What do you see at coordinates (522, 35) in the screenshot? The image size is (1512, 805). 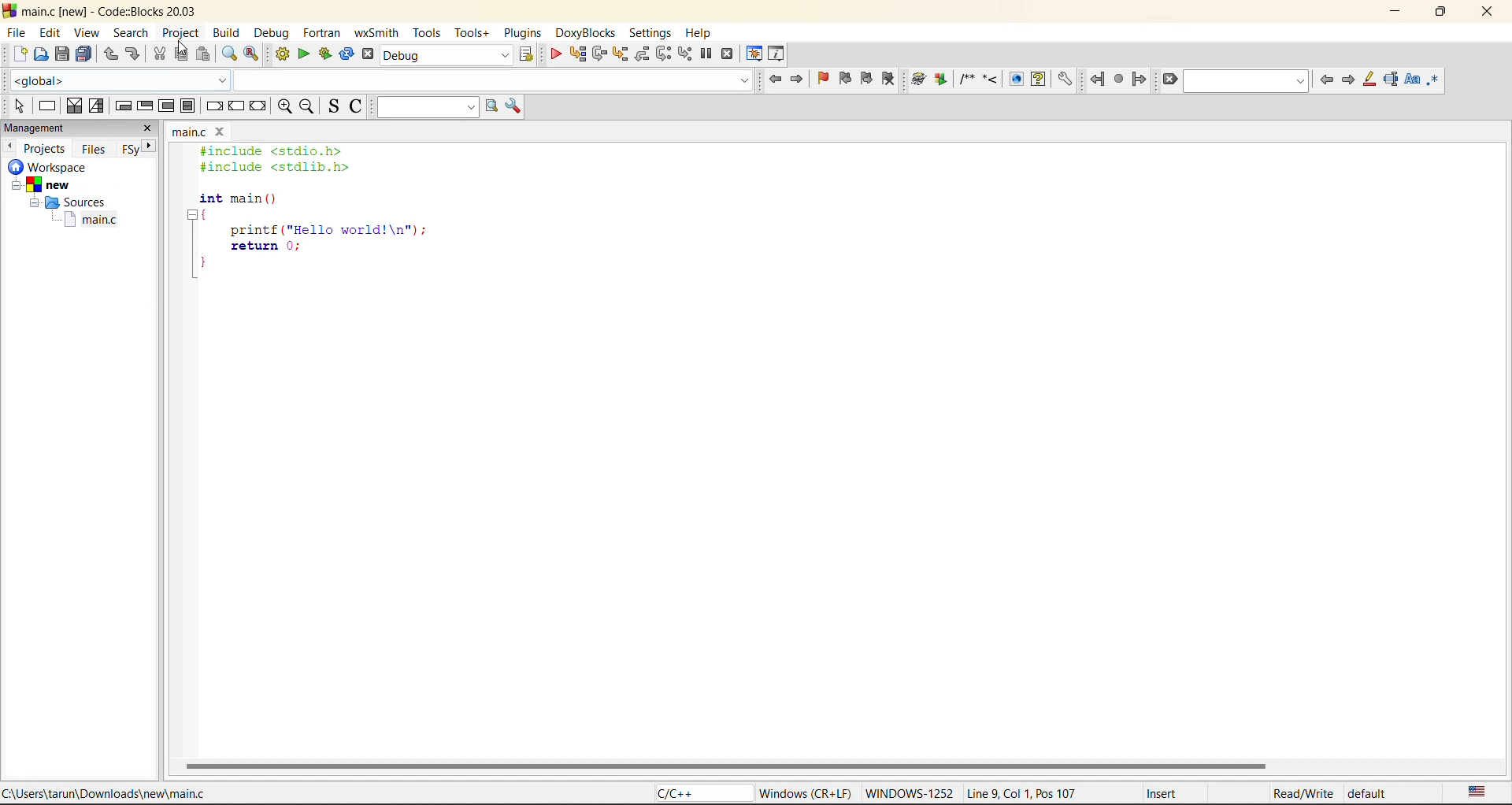 I see `plugins` at bounding box center [522, 35].